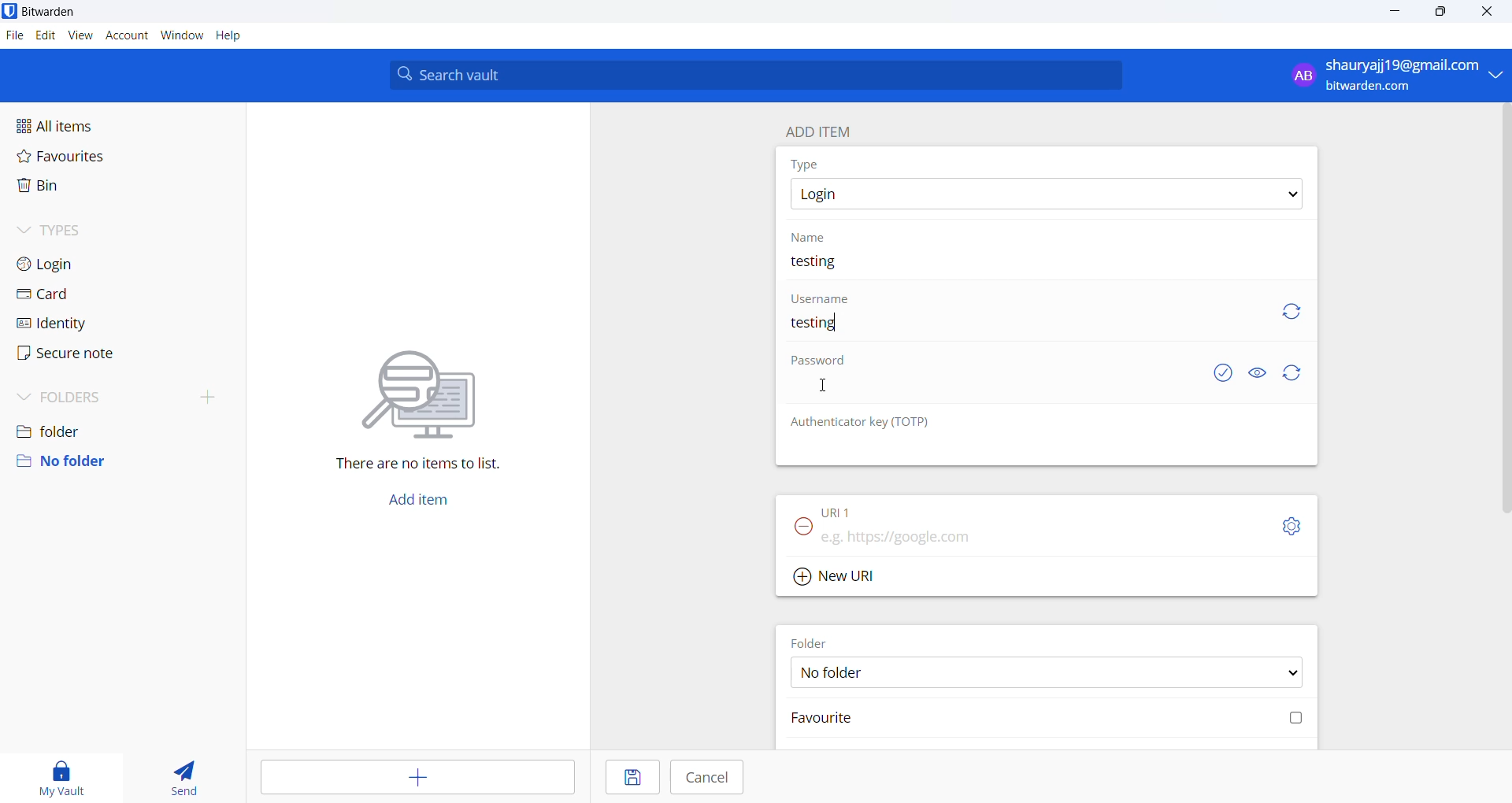 The width and height of the screenshot is (1512, 803). Describe the element at coordinates (631, 776) in the screenshot. I see `save` at that location.